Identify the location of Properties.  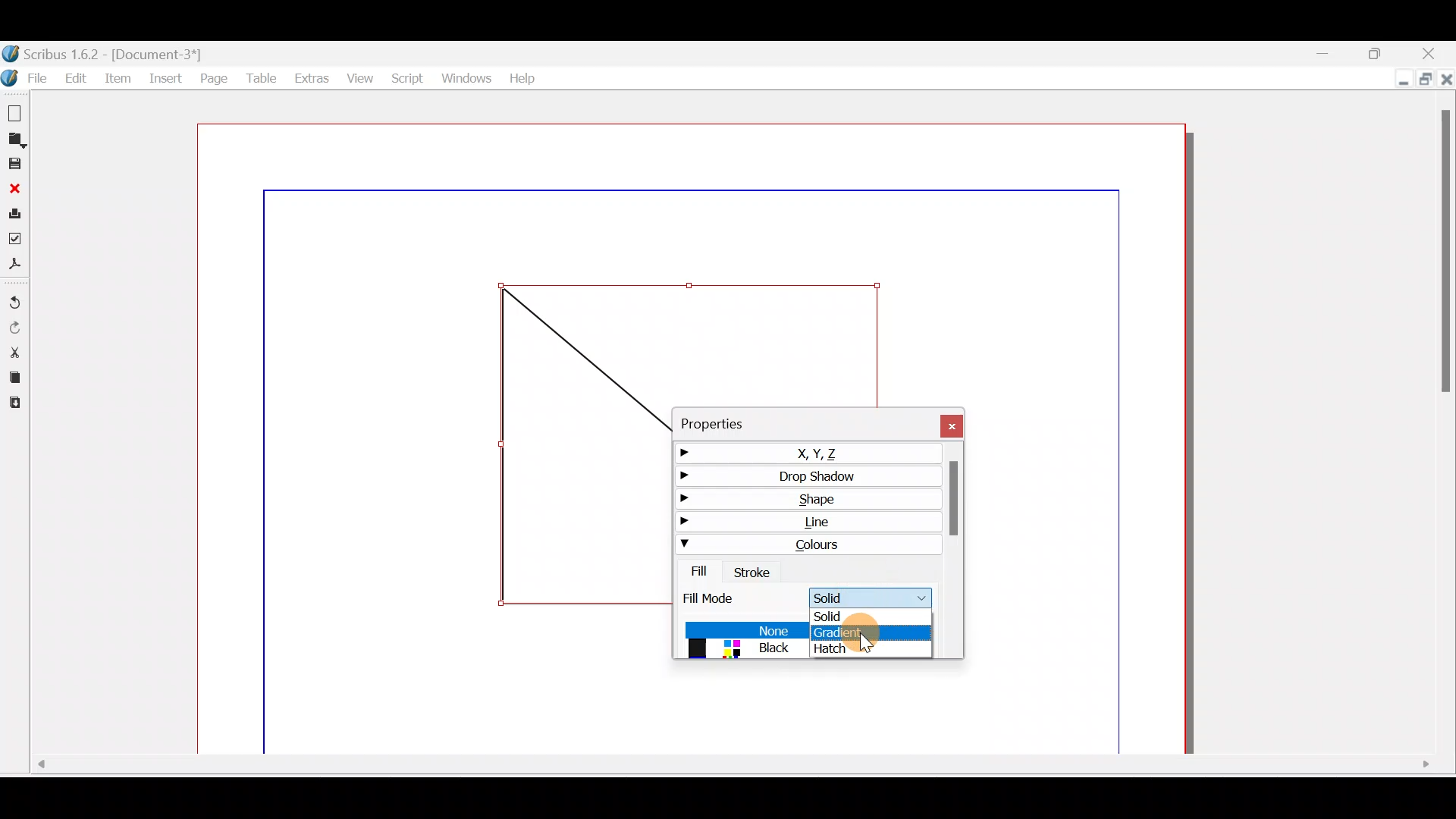
(745, 421).